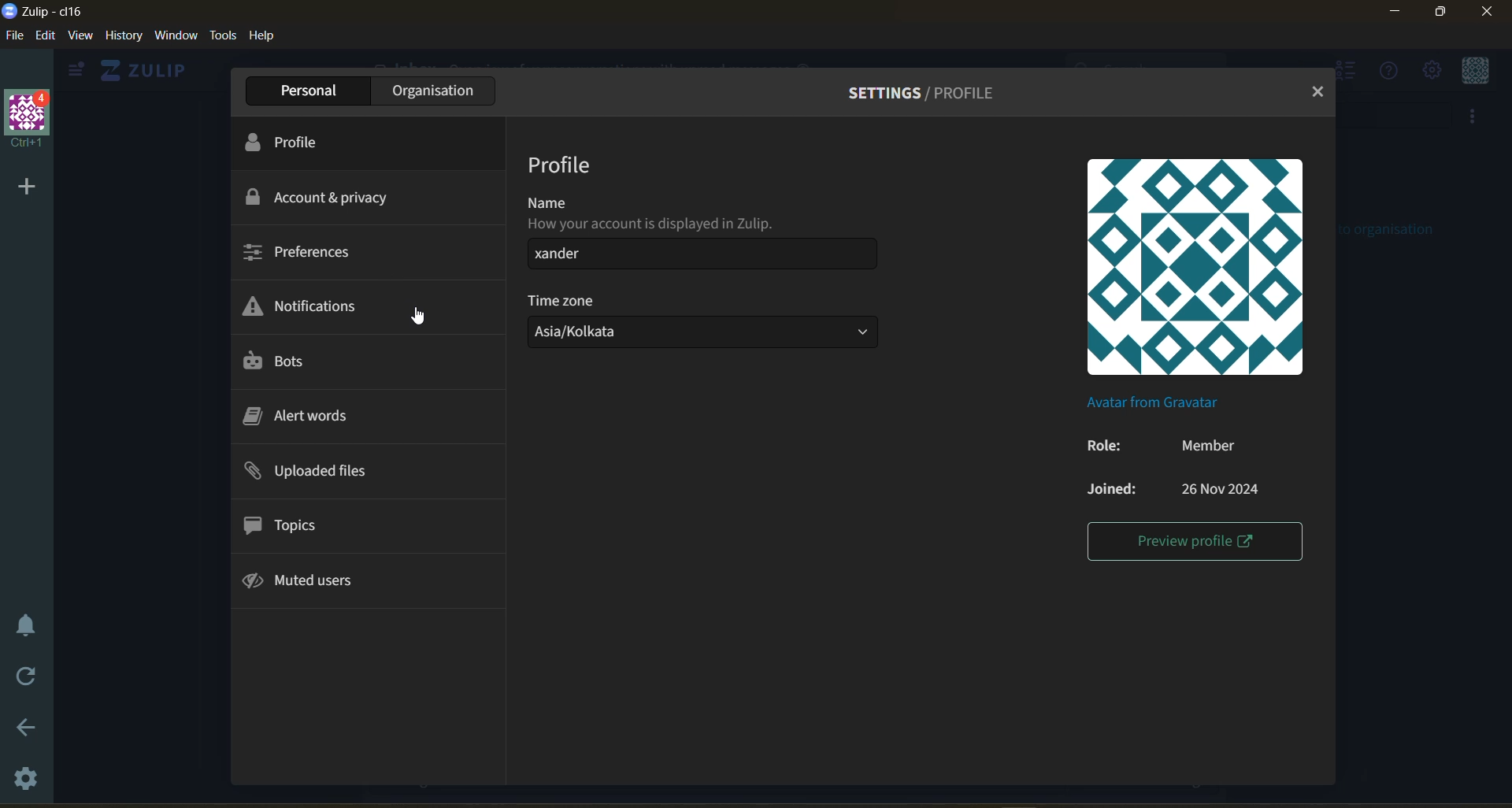  I want to click on topics, so click(291, 523).